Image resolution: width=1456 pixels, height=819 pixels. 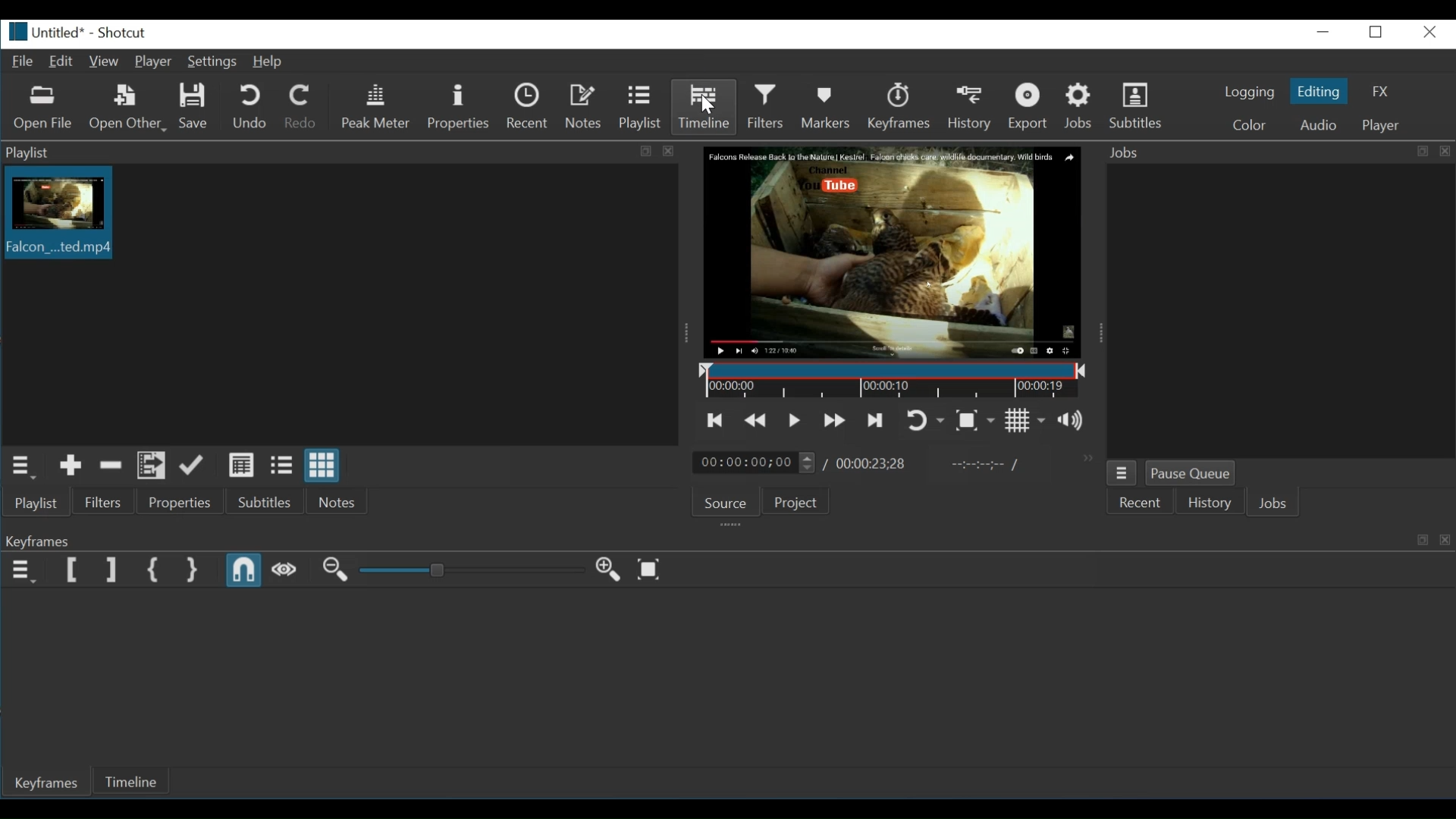 What do you see at coordinates (1317, 90) in the screenshot?
I see `Eiting` at bounding box center [1317, 90].